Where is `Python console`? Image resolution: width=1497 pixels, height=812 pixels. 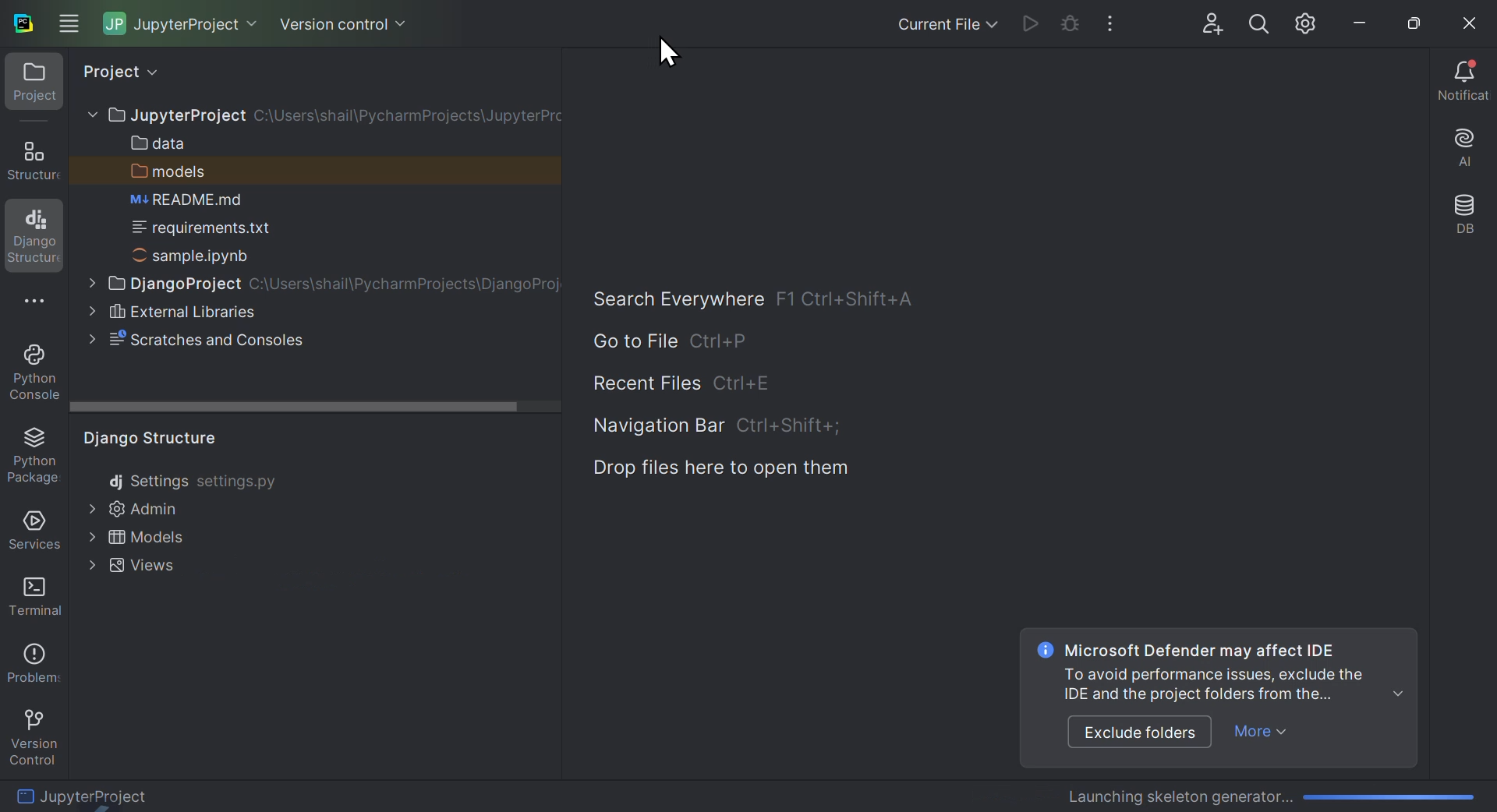
Python console is located at coordinates (34, 373).